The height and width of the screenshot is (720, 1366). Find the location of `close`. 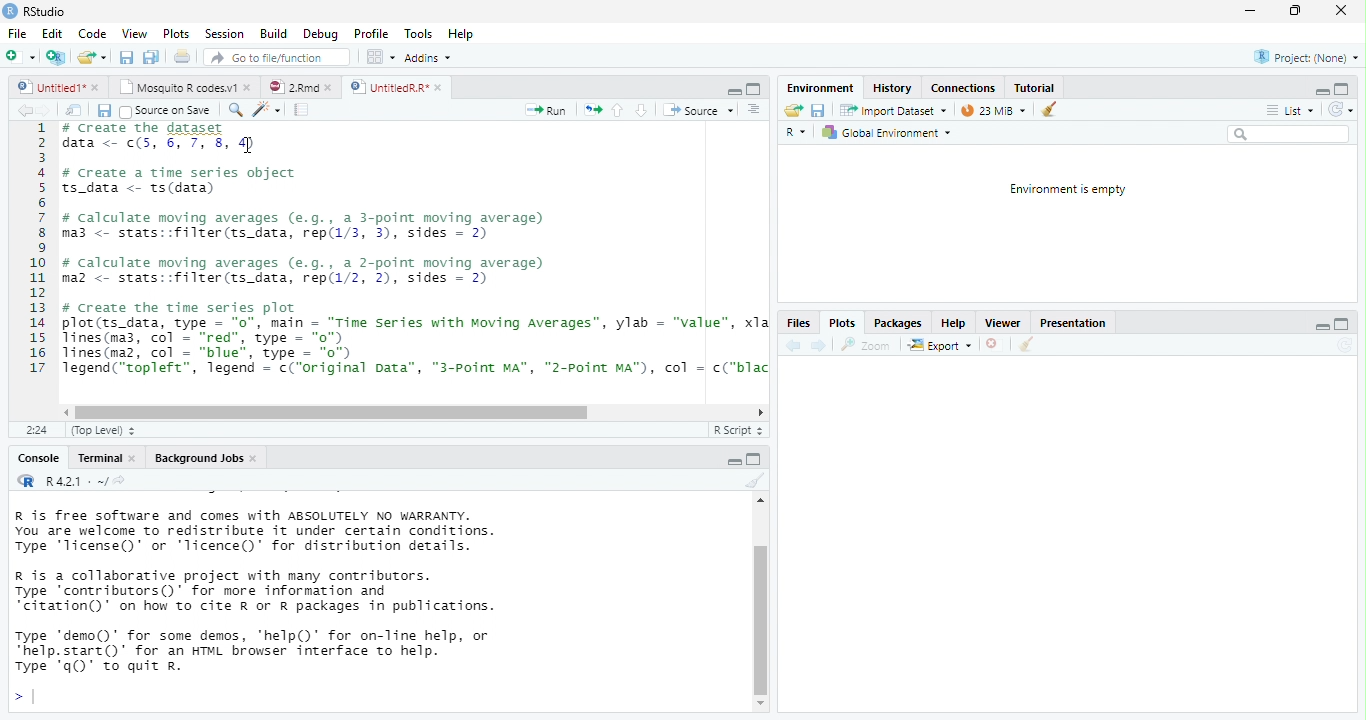

close is located at coordinates (250, 86).